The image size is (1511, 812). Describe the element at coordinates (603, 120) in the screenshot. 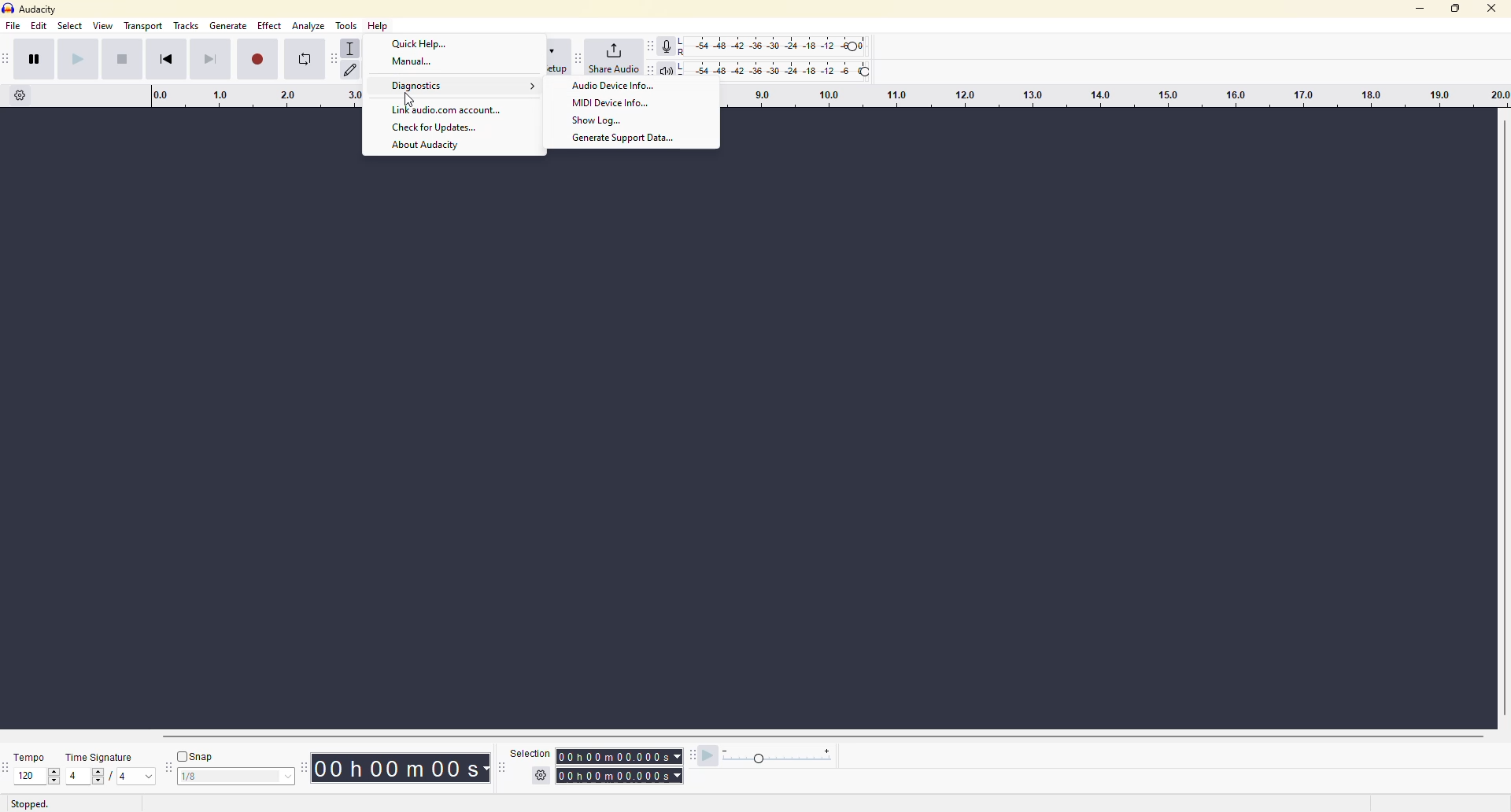

I see `Show Log...` at that location.